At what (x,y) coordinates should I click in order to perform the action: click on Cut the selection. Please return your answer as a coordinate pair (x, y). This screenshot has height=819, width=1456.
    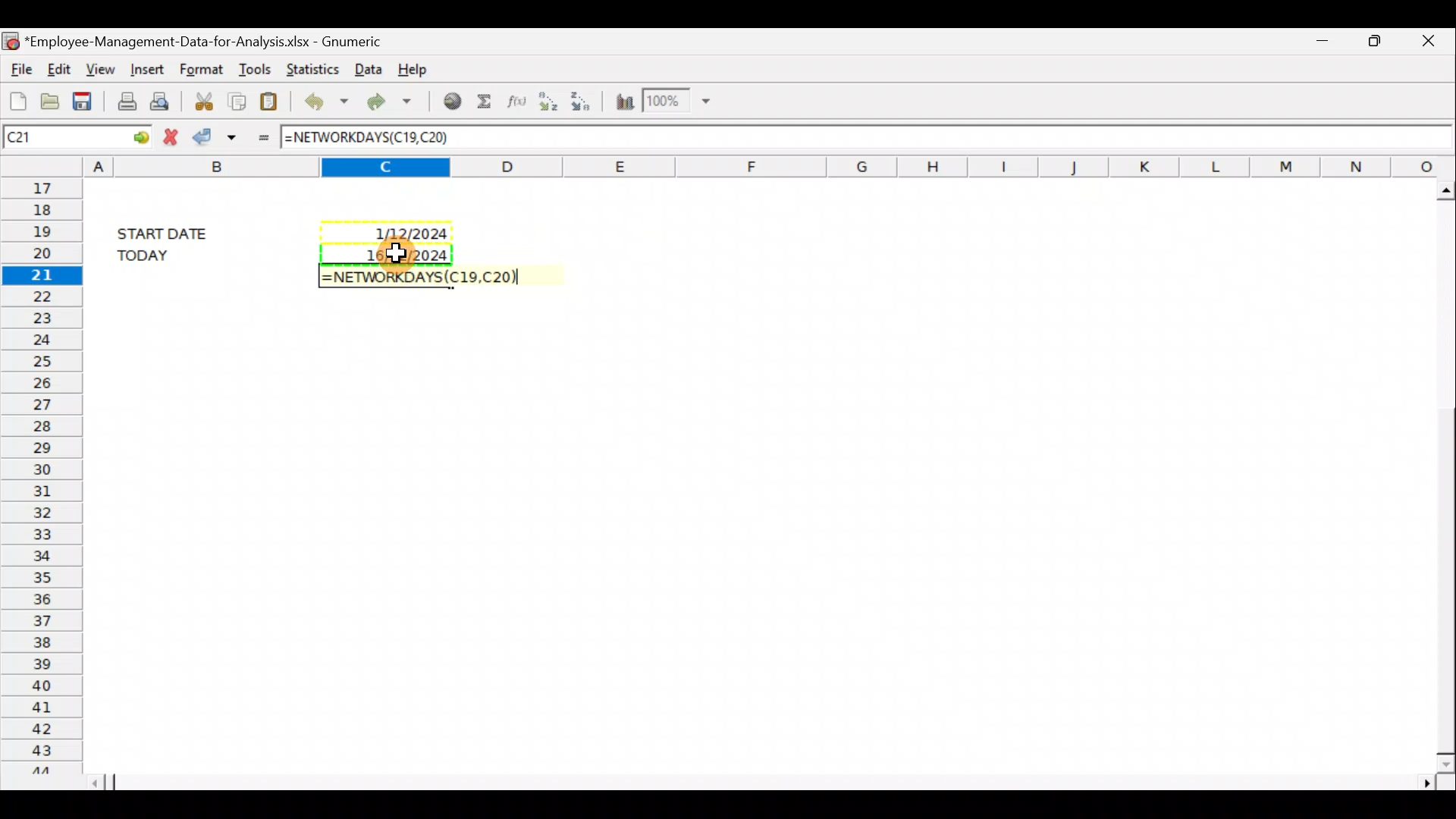
    Looking at the image, I should click on (204, 99).